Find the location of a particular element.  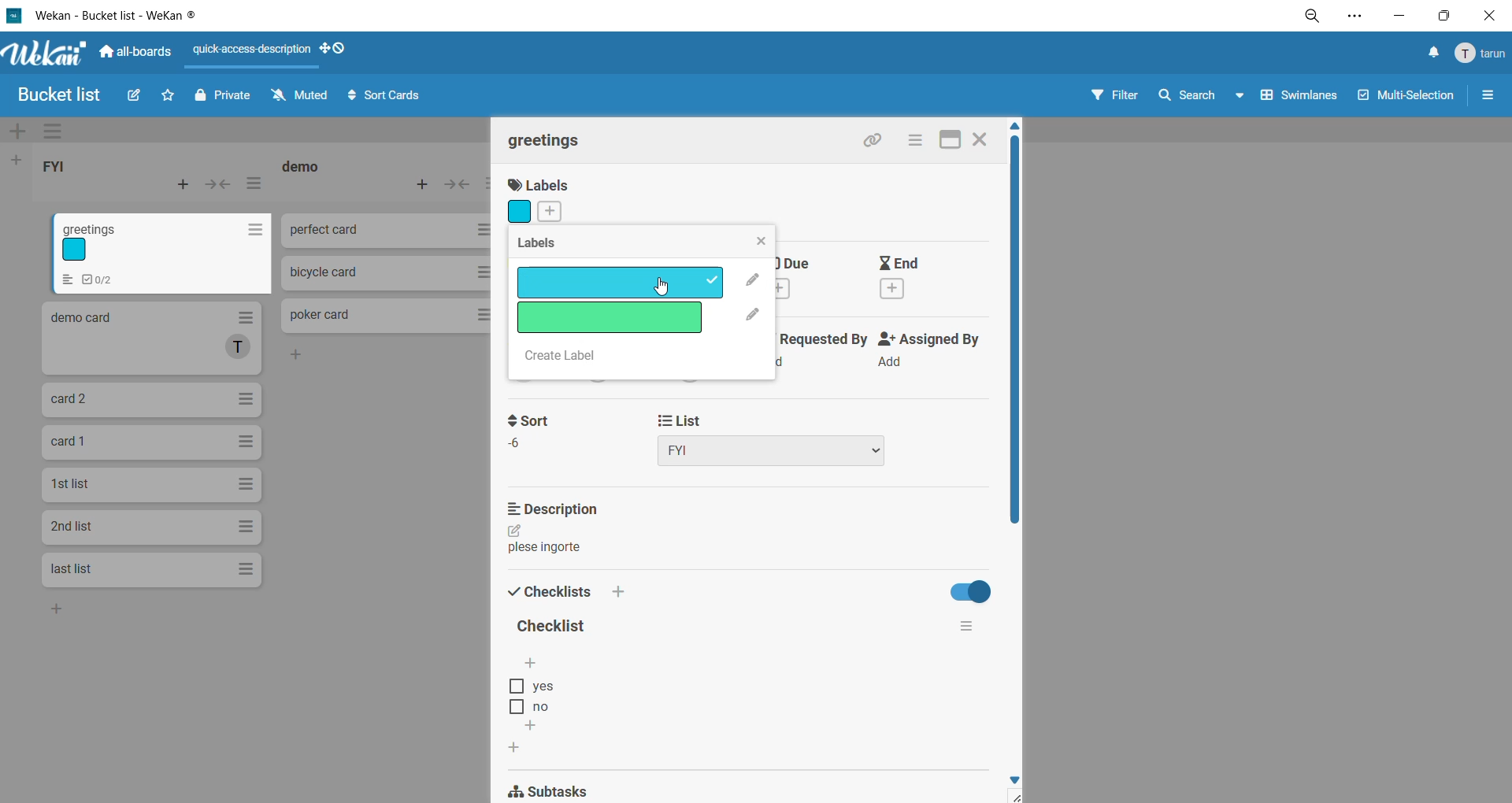

copy link is located at coordinates (878, 140).